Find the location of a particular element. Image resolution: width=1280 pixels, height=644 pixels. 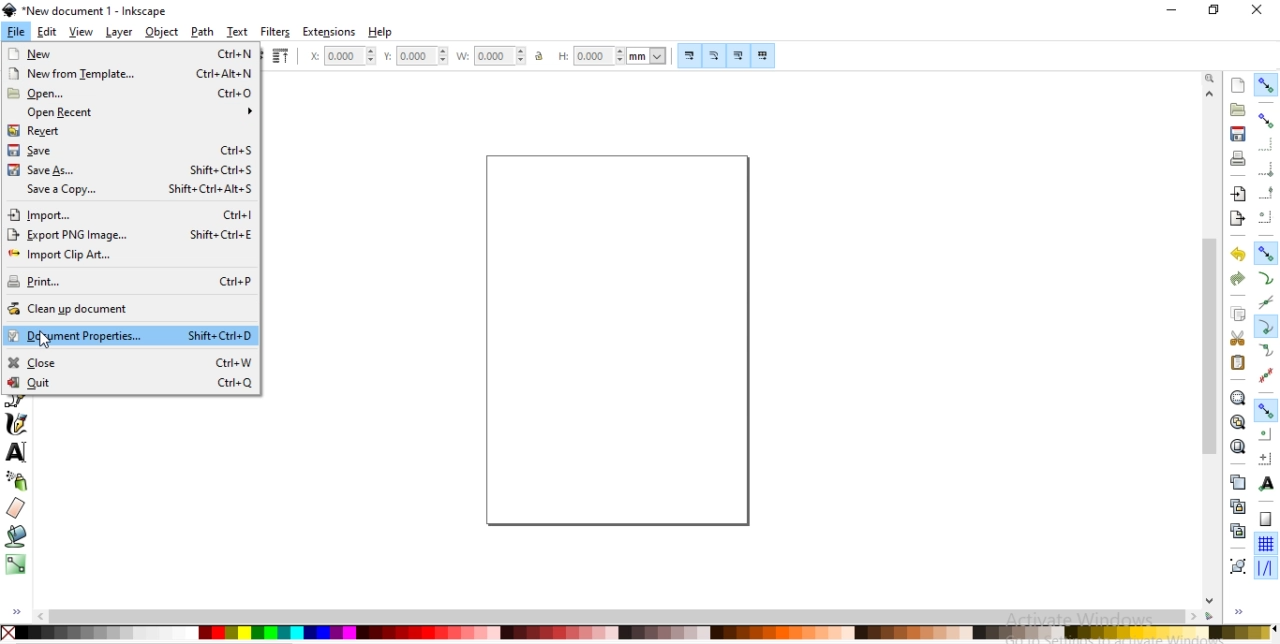

new is located at coordinates (131, 55).